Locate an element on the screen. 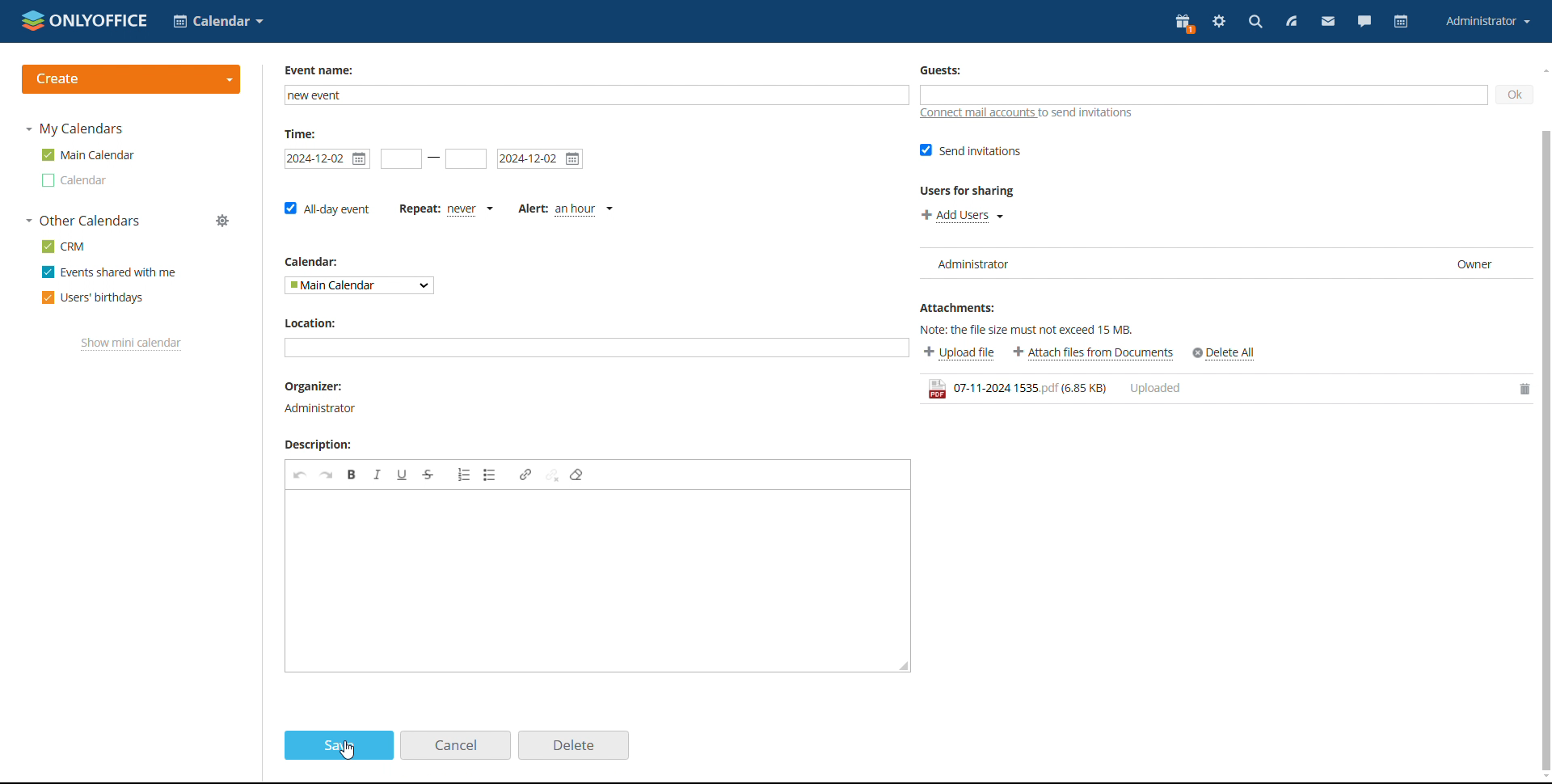 The width and height of the screenshot is (1552, 784). settings is located at coordinates (1221, 23).